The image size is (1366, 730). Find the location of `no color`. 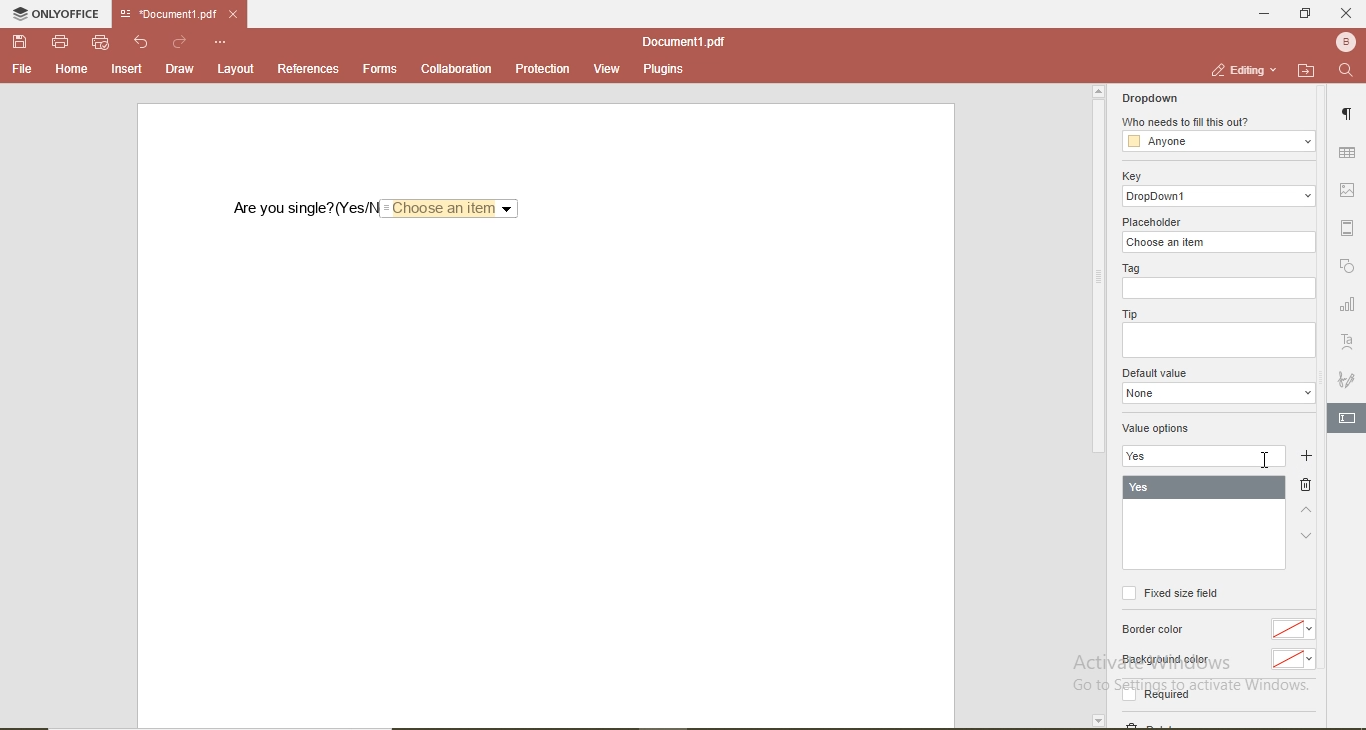

no color is located at coordinates (1292, 630).